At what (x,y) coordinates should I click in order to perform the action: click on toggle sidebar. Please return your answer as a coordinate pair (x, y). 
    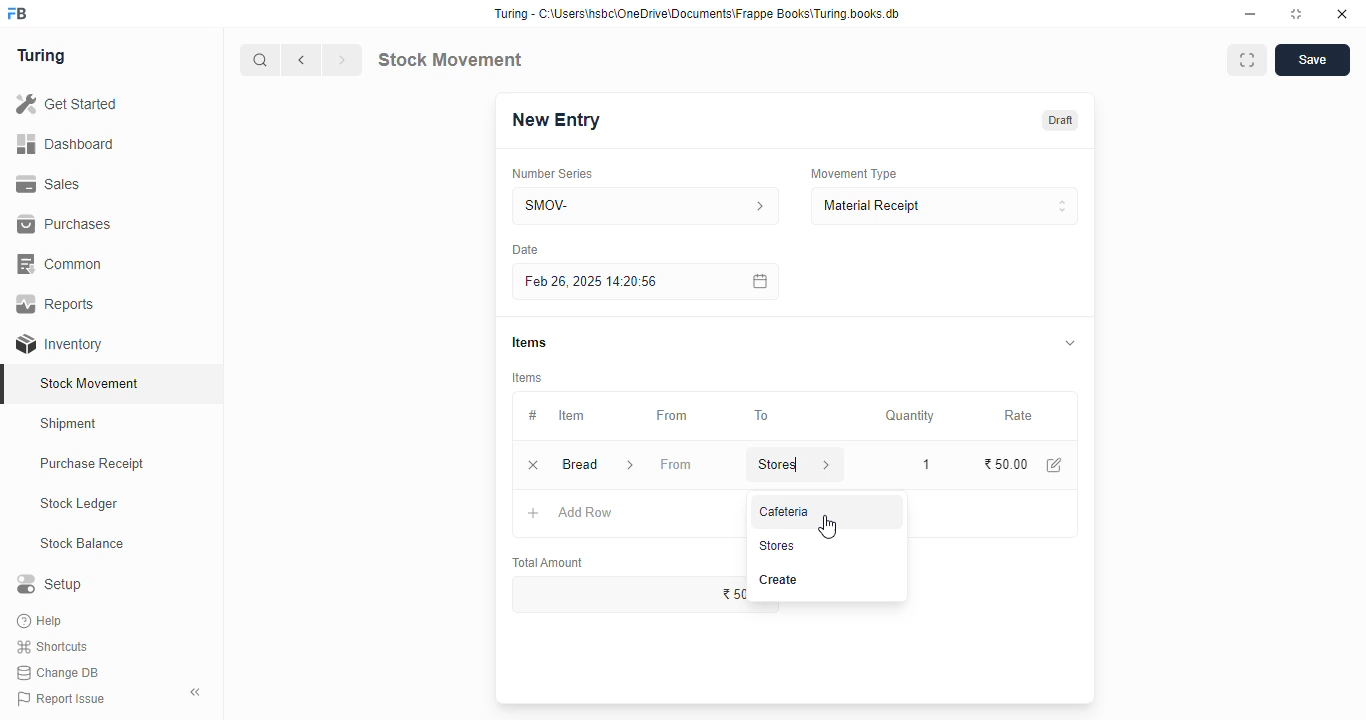
    Looking at the image, I should click on (196, 692).